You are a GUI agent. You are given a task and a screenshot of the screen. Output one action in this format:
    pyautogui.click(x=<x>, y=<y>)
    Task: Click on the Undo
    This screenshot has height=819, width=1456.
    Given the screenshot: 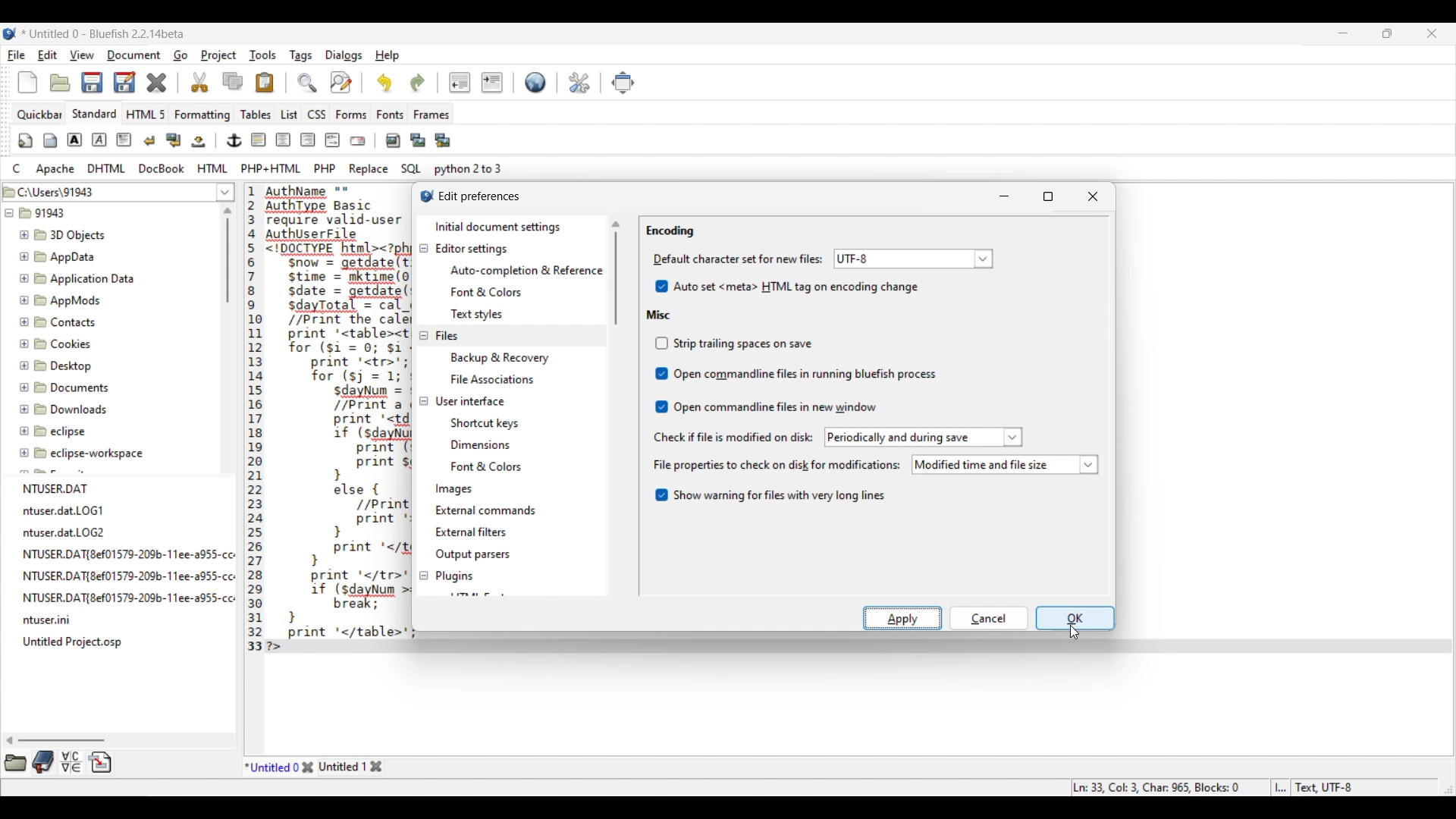 What is the action you would take?
    pyautogui.click(x=384, y=83)
    